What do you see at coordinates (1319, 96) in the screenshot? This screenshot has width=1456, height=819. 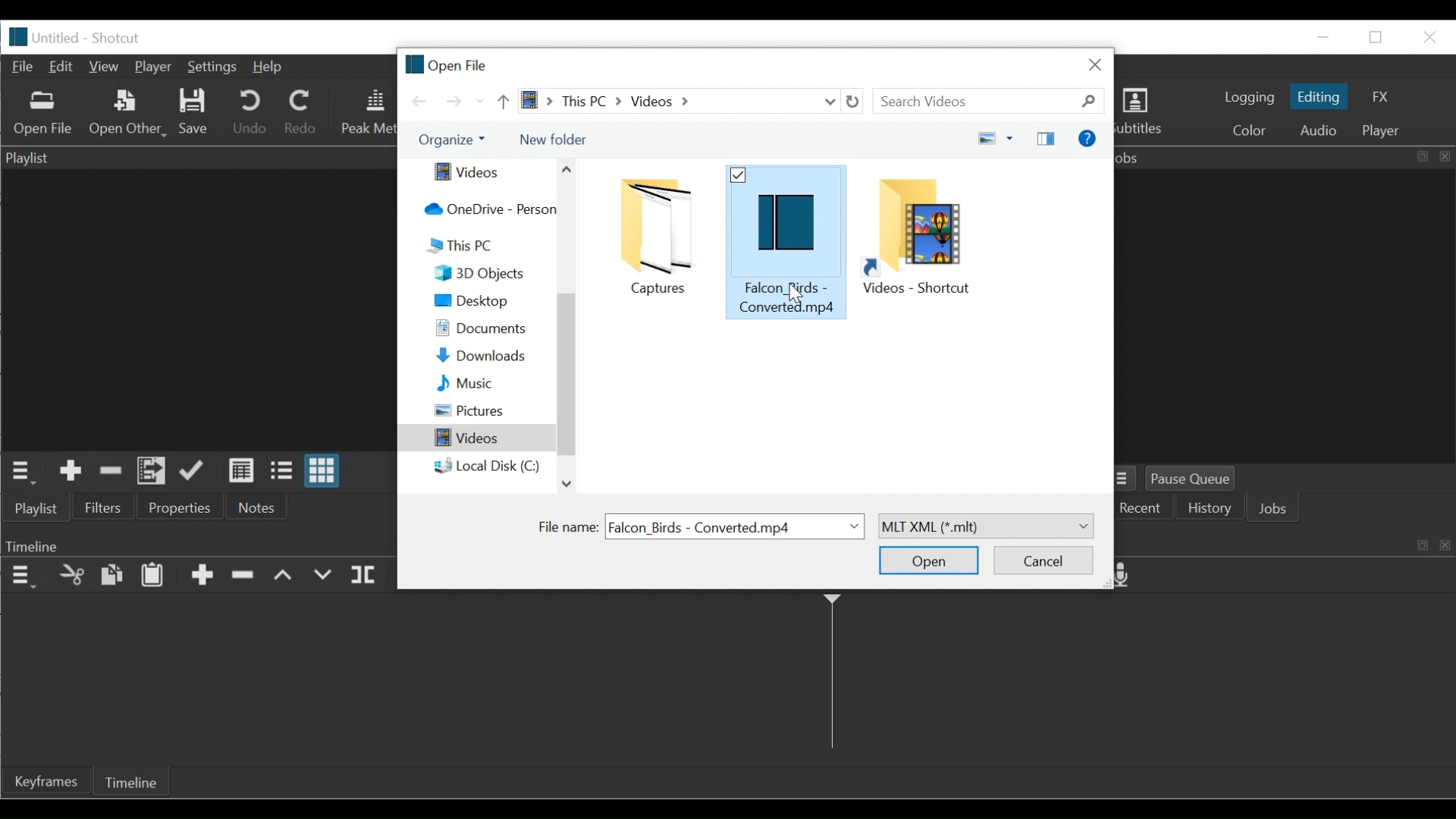 I see `Editing` at bounding box center [1319, 96].